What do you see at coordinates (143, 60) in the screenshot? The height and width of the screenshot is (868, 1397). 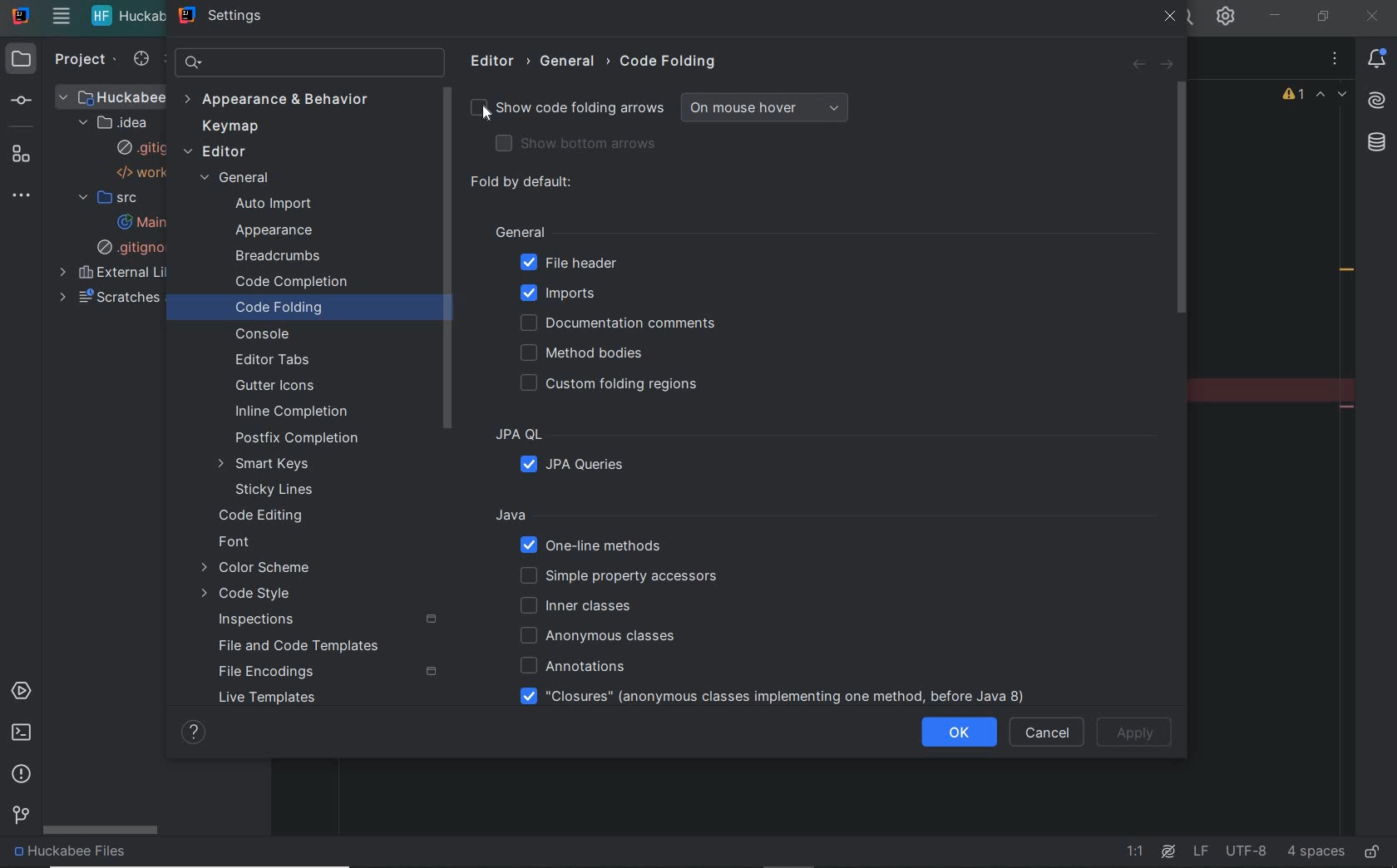 I see `select opened file` at bounding box center [143, 60].